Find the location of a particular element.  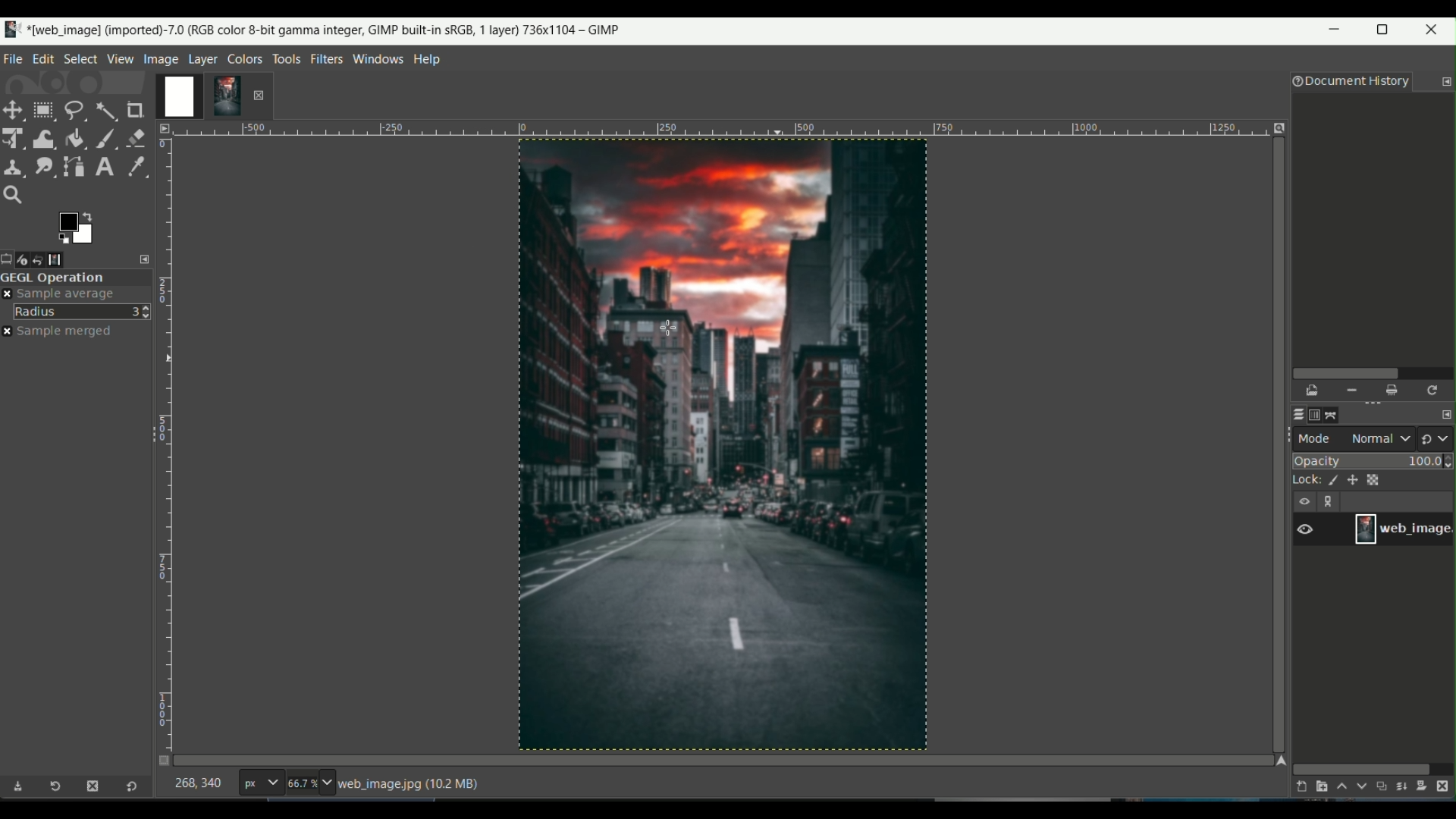

fuzzy select tool is located at coordinates (105, 109).